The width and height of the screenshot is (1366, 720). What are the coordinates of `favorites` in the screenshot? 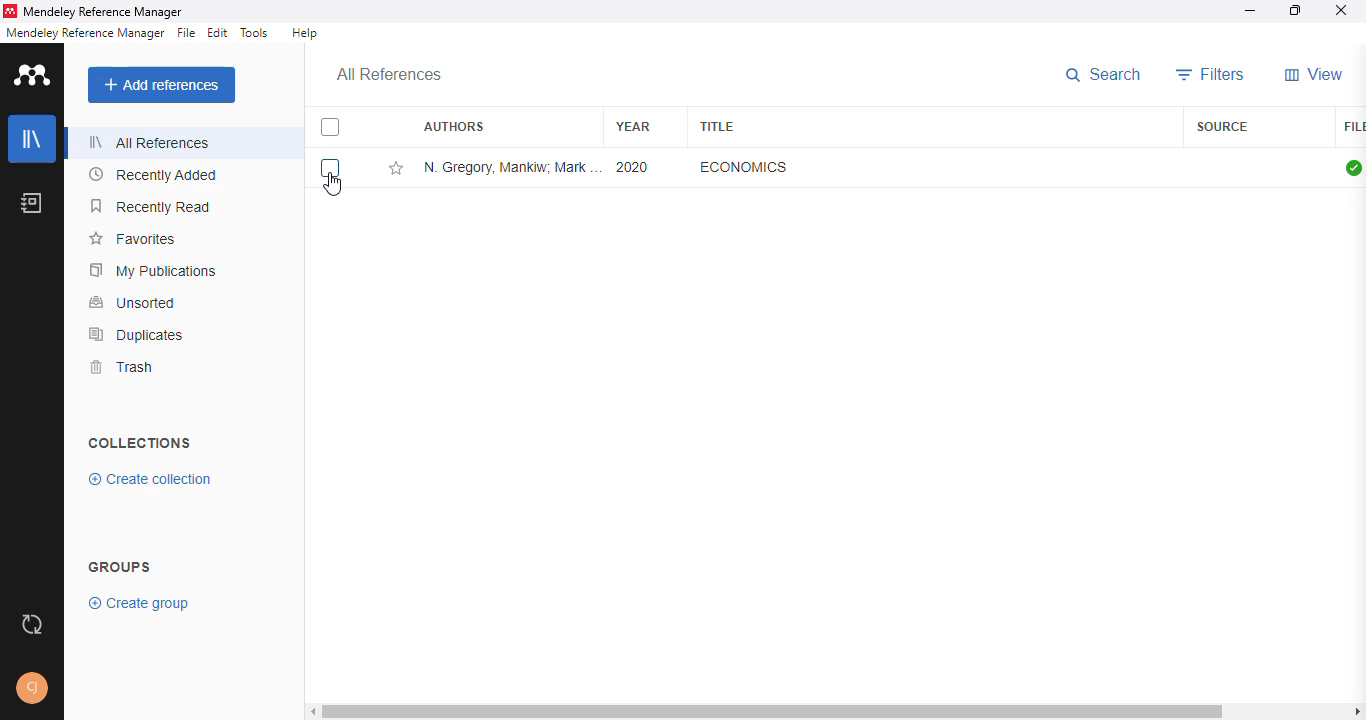 It's located at (131, 239).